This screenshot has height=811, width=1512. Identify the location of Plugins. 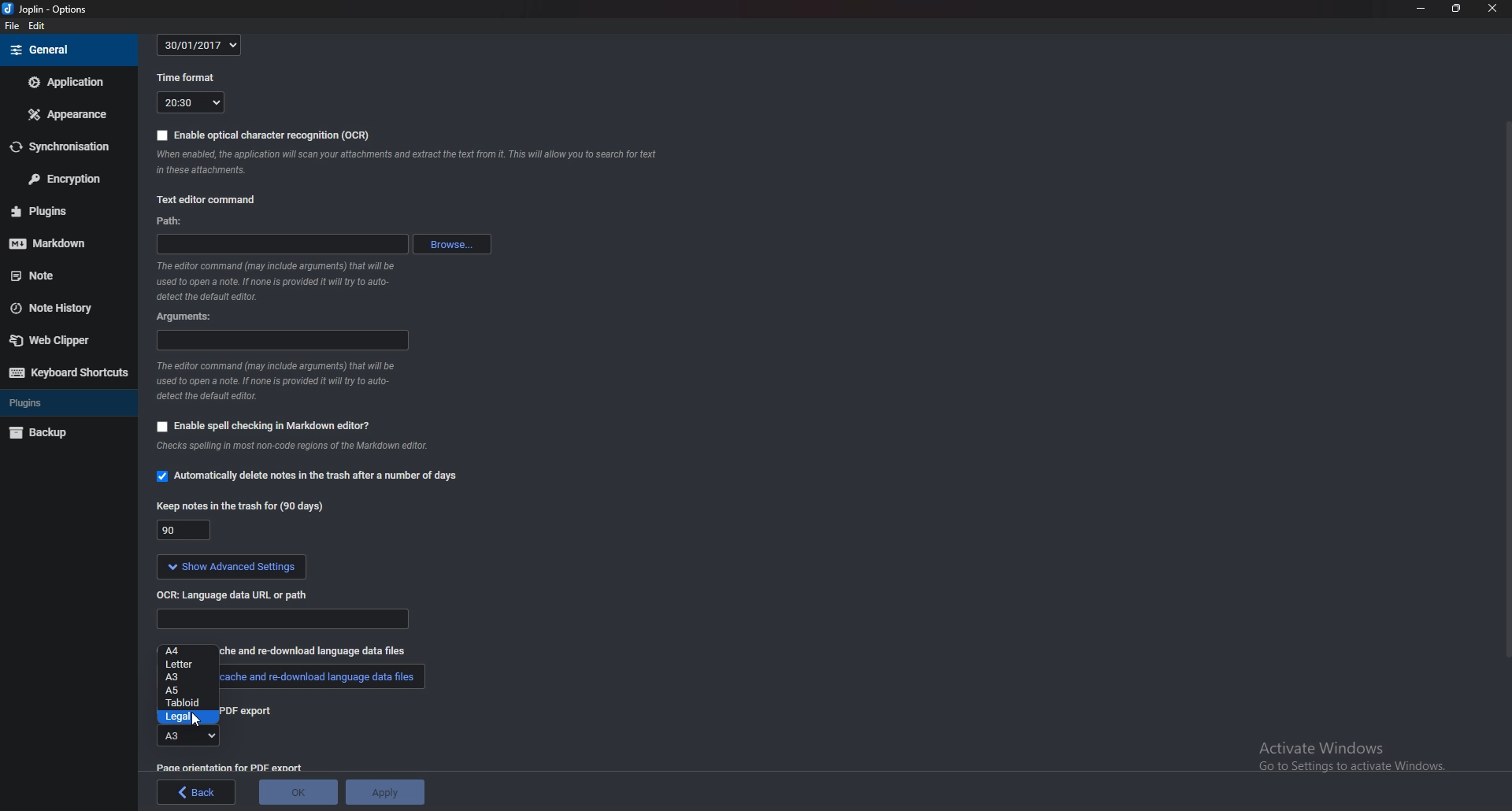
(66, 402).